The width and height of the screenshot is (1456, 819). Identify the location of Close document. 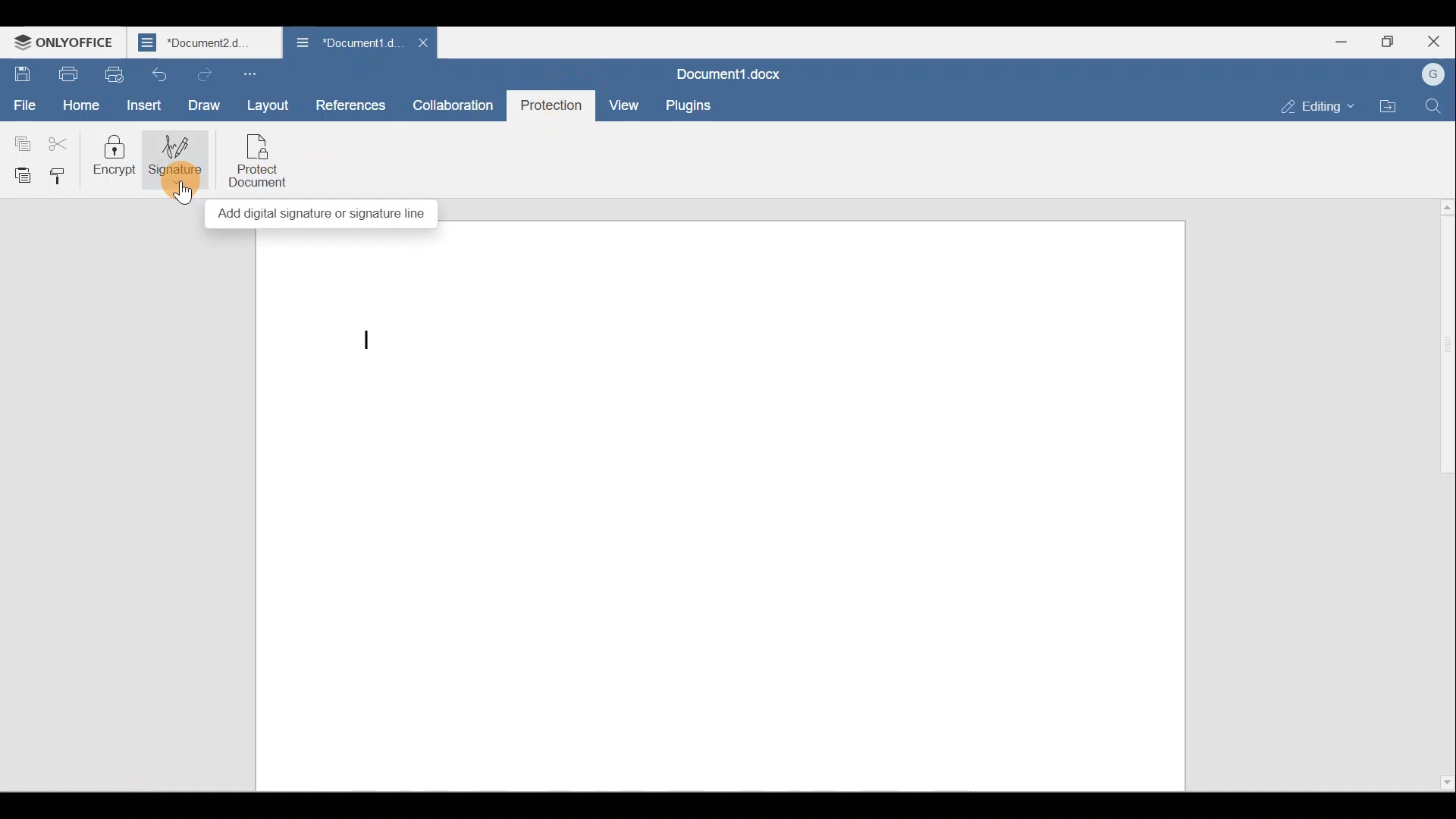
(425, 42).